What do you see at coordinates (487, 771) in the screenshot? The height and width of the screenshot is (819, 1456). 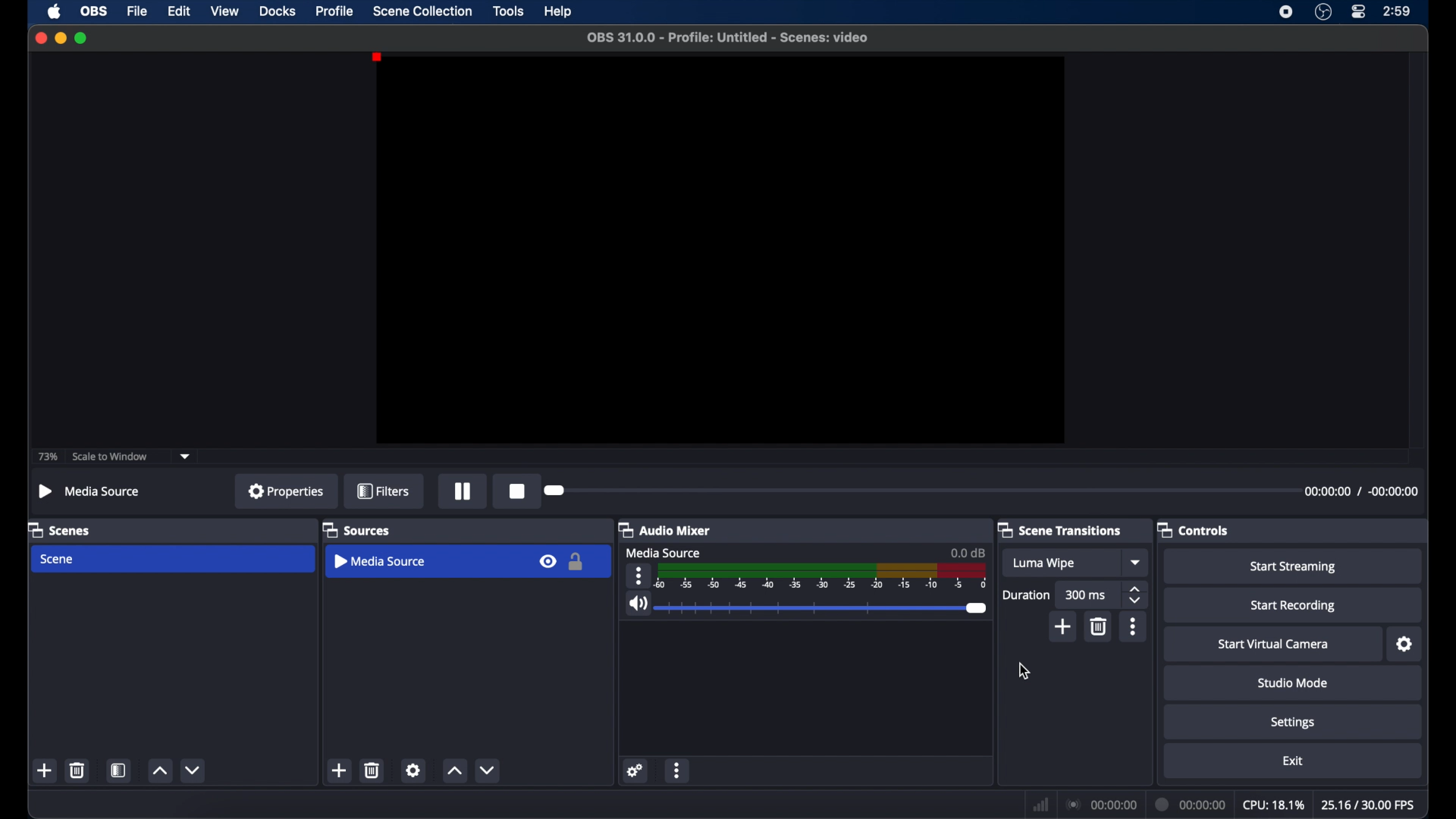 I see `decrement` at bounding box center [487, 771].